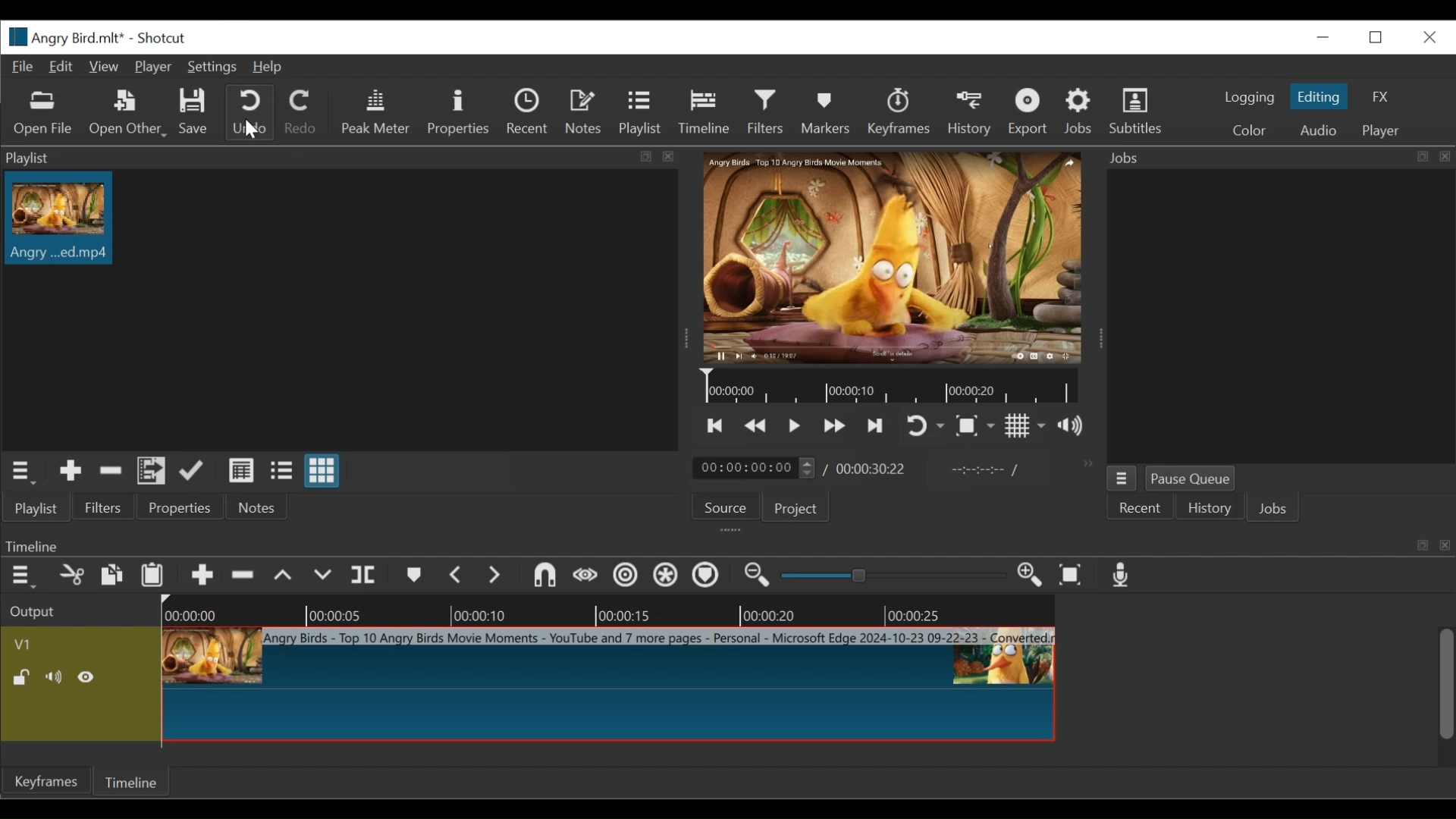 The height and width of the screenshot is (819, 1456). What do you see at coordinates (192, 470) in the screenshot?
I see `Update` at bounding box center [192, 470].